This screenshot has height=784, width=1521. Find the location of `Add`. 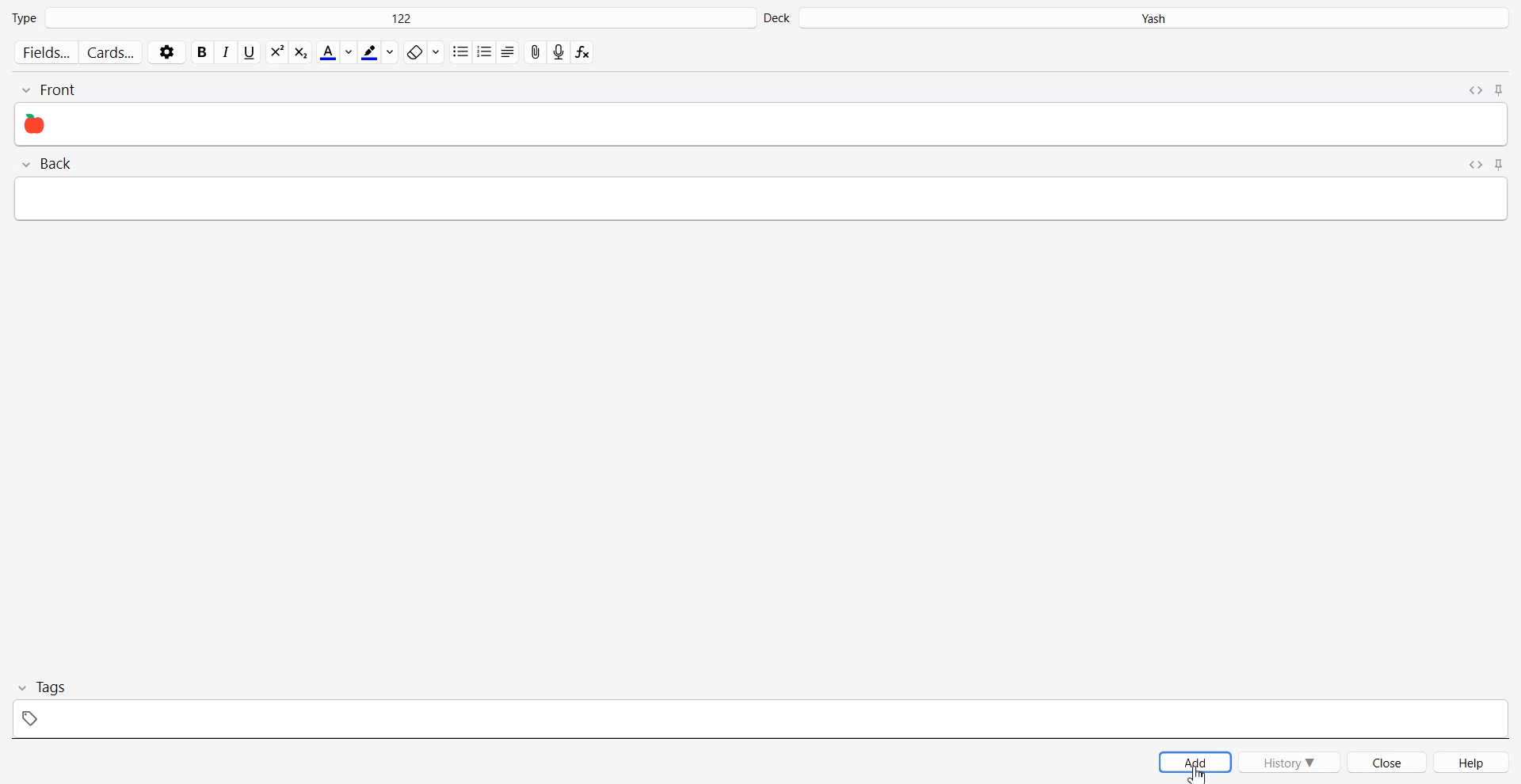

Add is located at coordinates (1195, 763).